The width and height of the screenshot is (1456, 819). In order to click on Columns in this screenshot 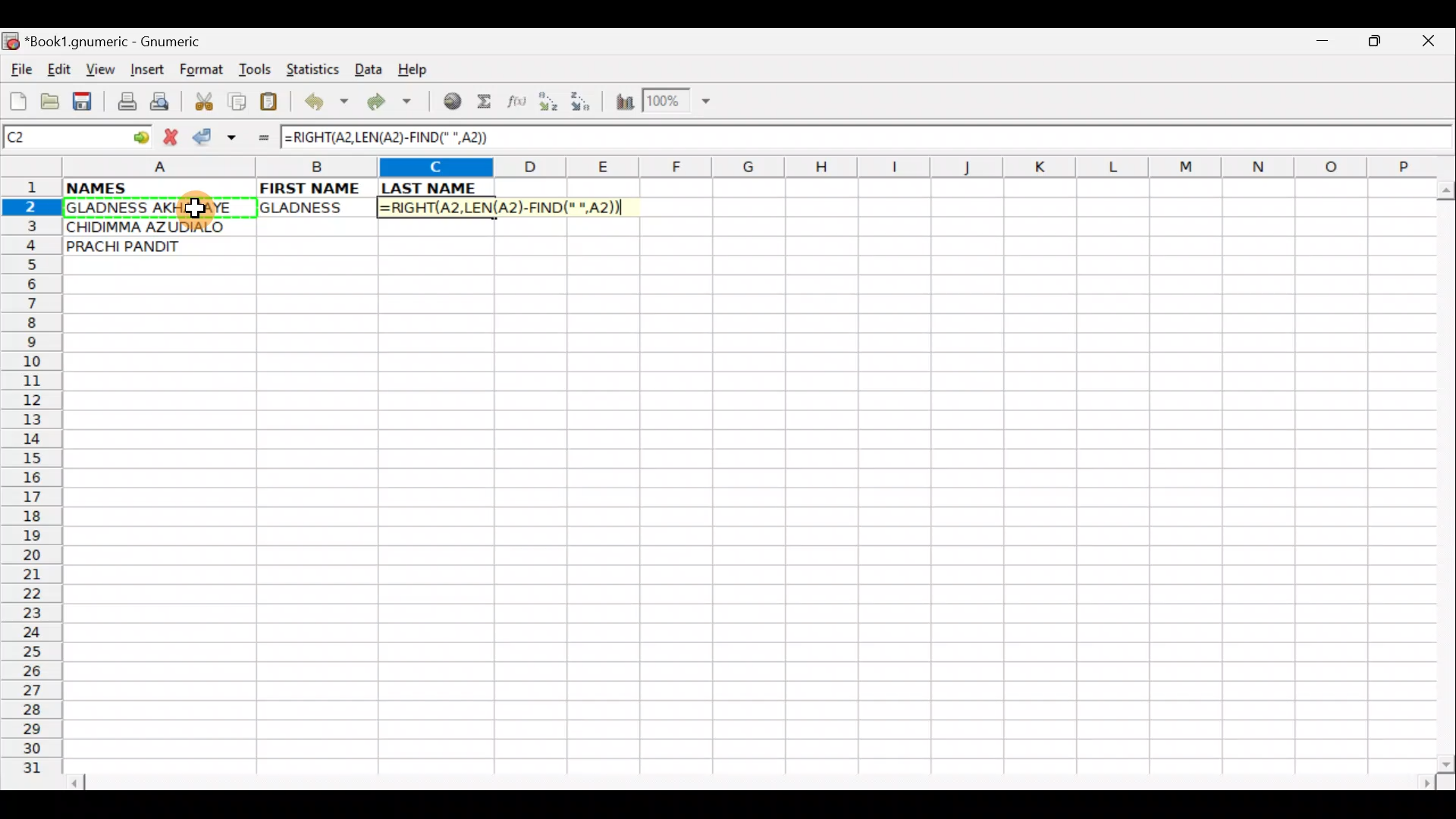, I will do `click(741, 168)`.